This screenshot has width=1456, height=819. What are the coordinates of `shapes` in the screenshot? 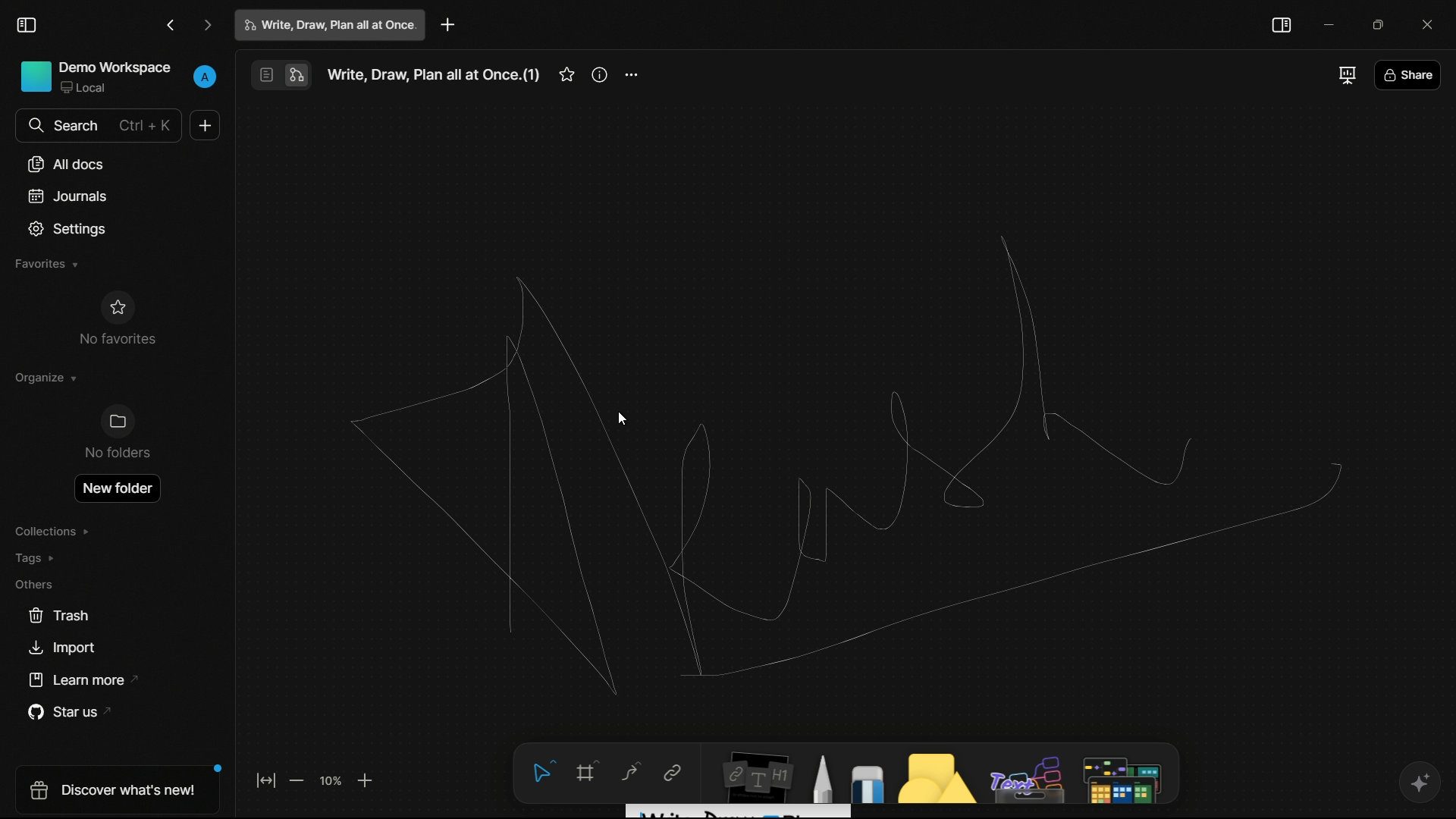 It's located at (939, 776).